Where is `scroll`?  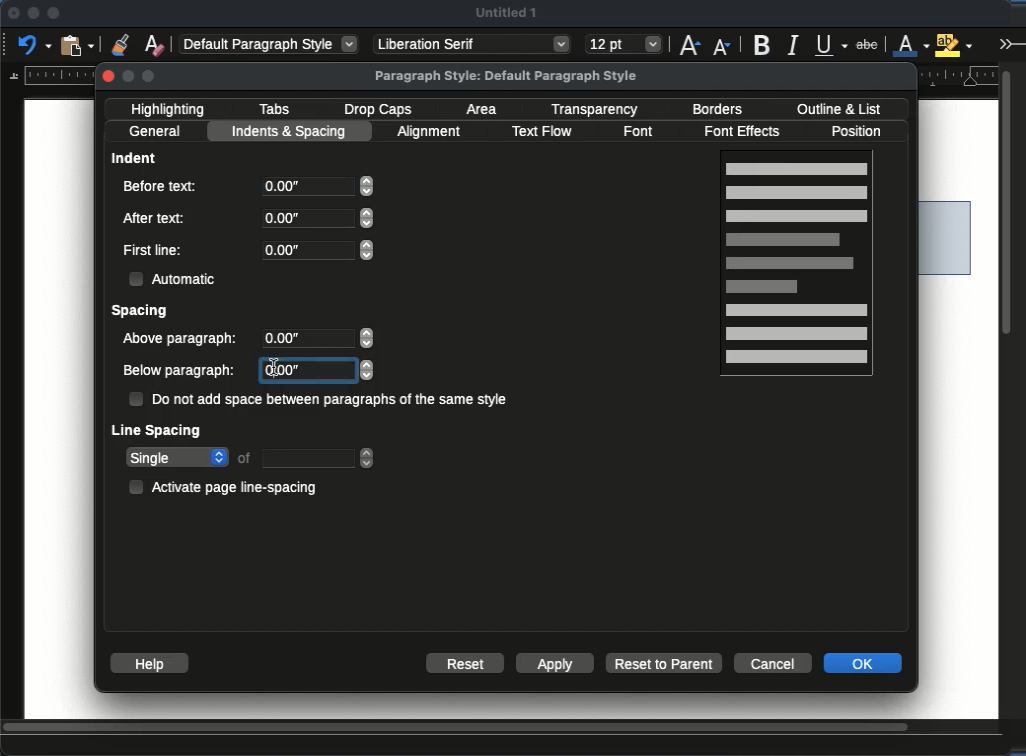 scroll is located at coordinates (1012, 389).